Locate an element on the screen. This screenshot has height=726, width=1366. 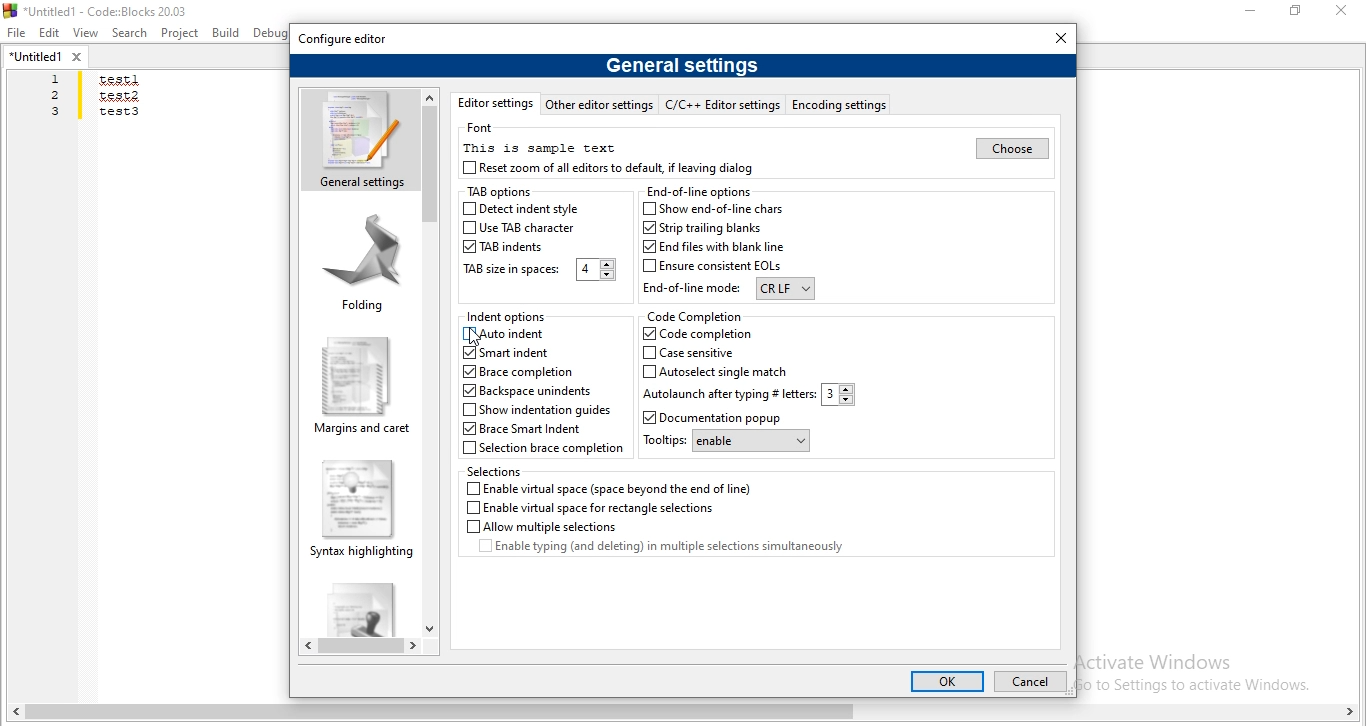
close is located at coordinates (1062, 37).